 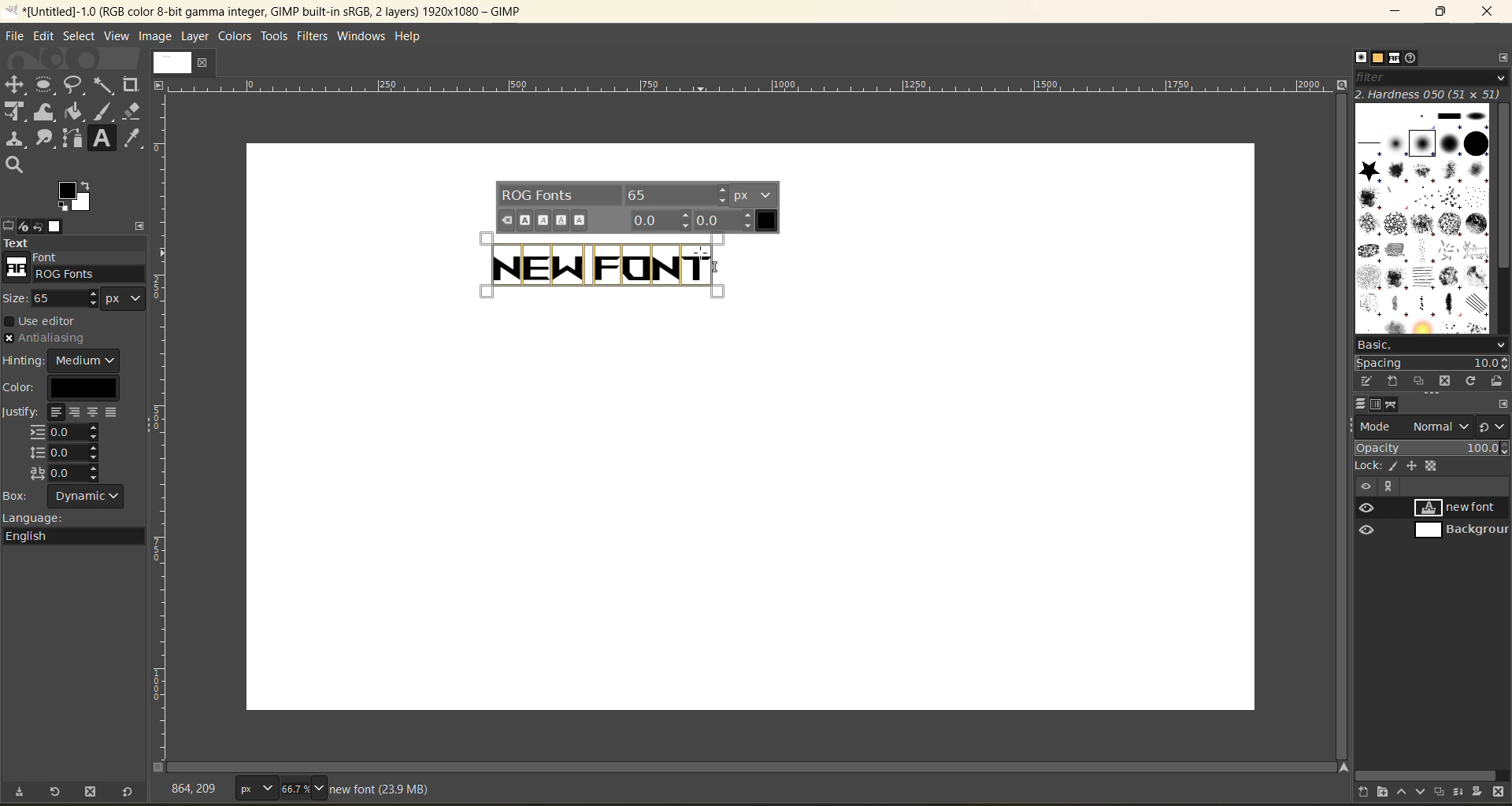 What do you see at coordinates (197, 38) in the screenshot?
I see `layer` at bounding box center [197, 38].